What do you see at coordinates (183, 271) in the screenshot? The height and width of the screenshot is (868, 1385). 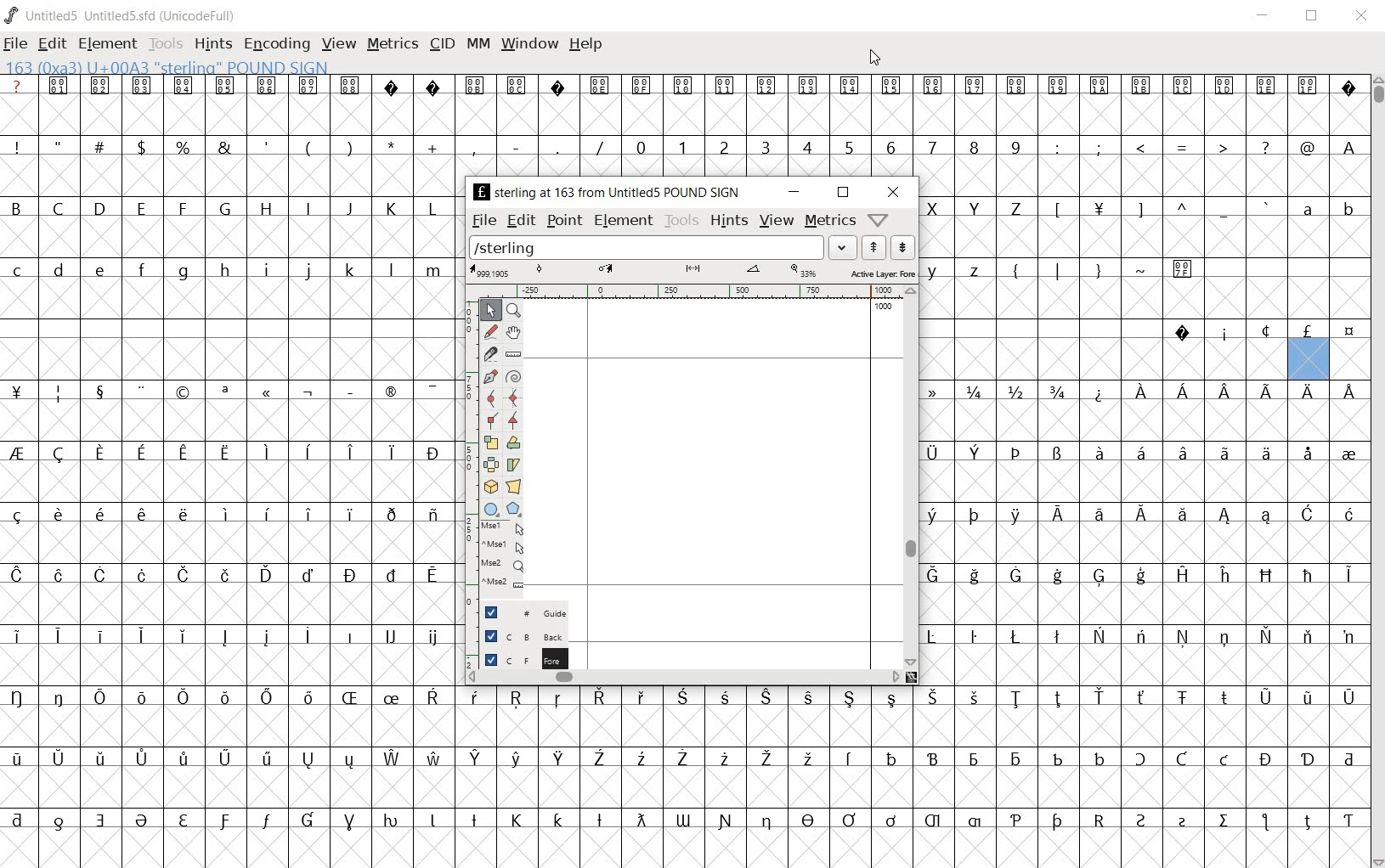 I see `g` at bounding box center [183, 271].